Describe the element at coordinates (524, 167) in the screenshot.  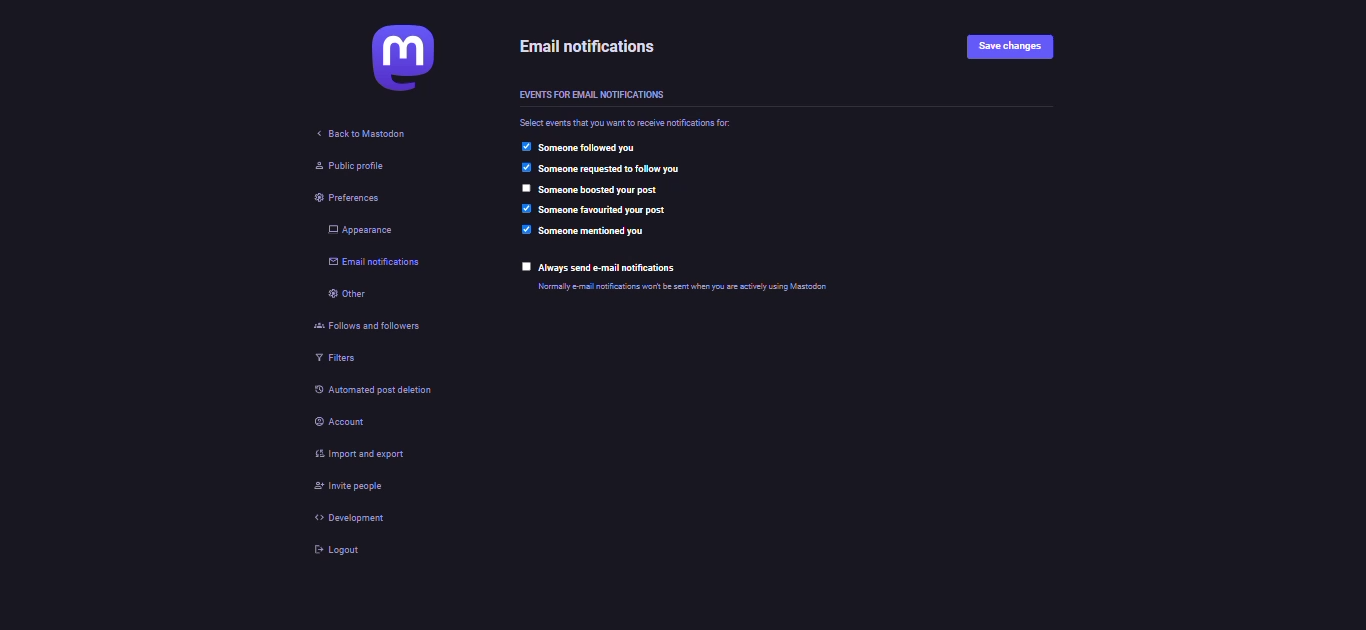
I see `enabled` at that location.